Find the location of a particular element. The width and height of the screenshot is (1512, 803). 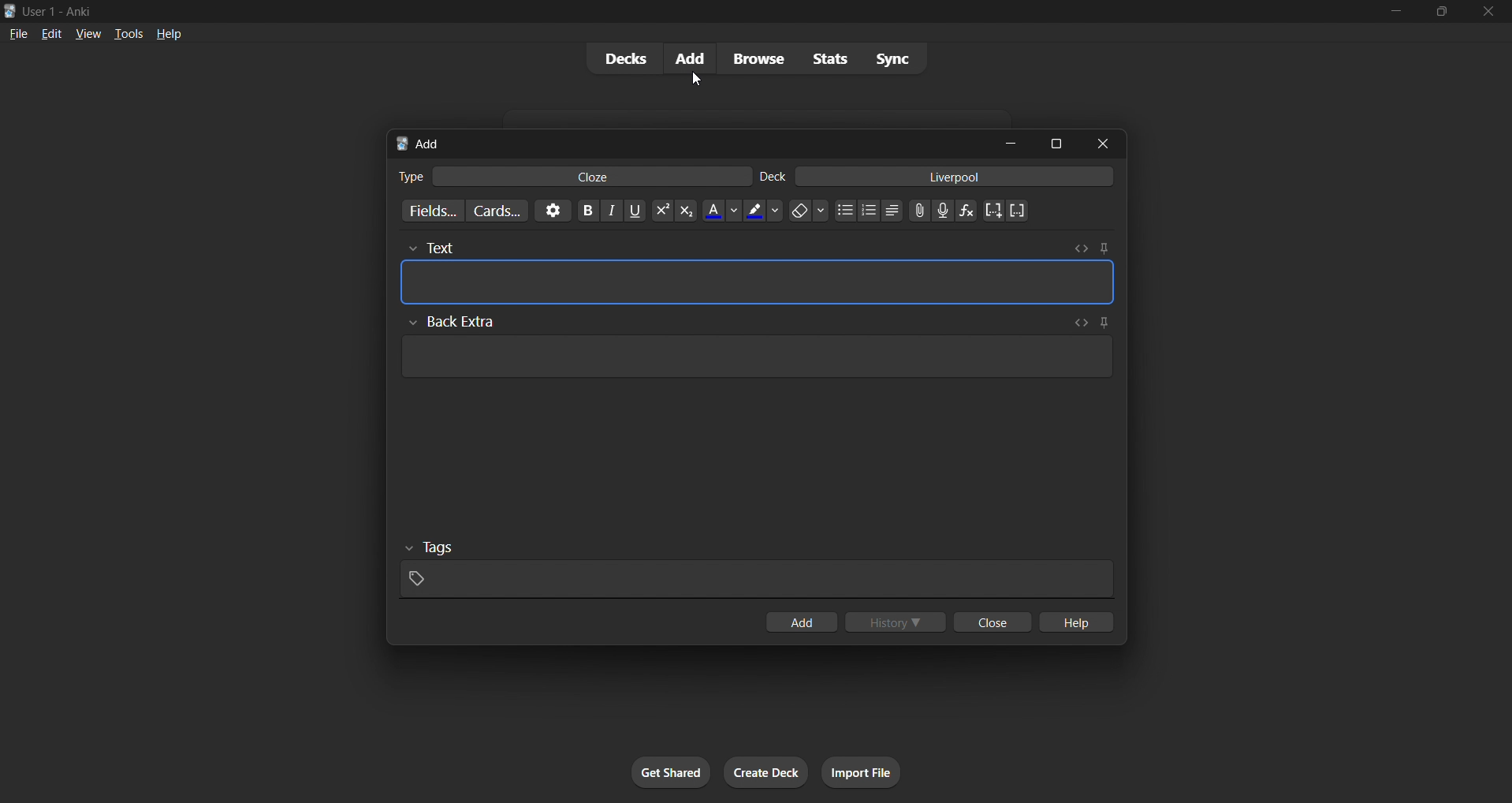

edit is located at coordinates (47, 33).